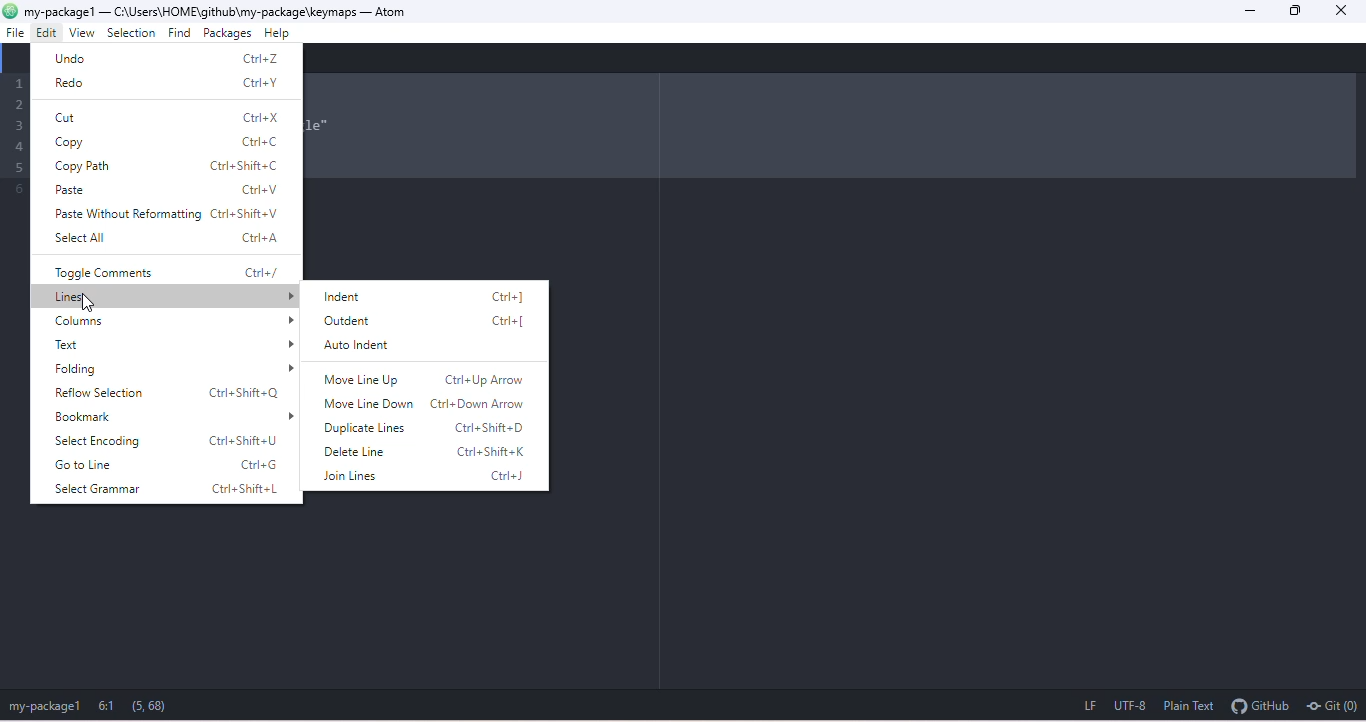 The height and width of the screenshot is (722, 1366). Describe the element at coordinates (162, 144) in the screenshot. I see `copy` at that location.